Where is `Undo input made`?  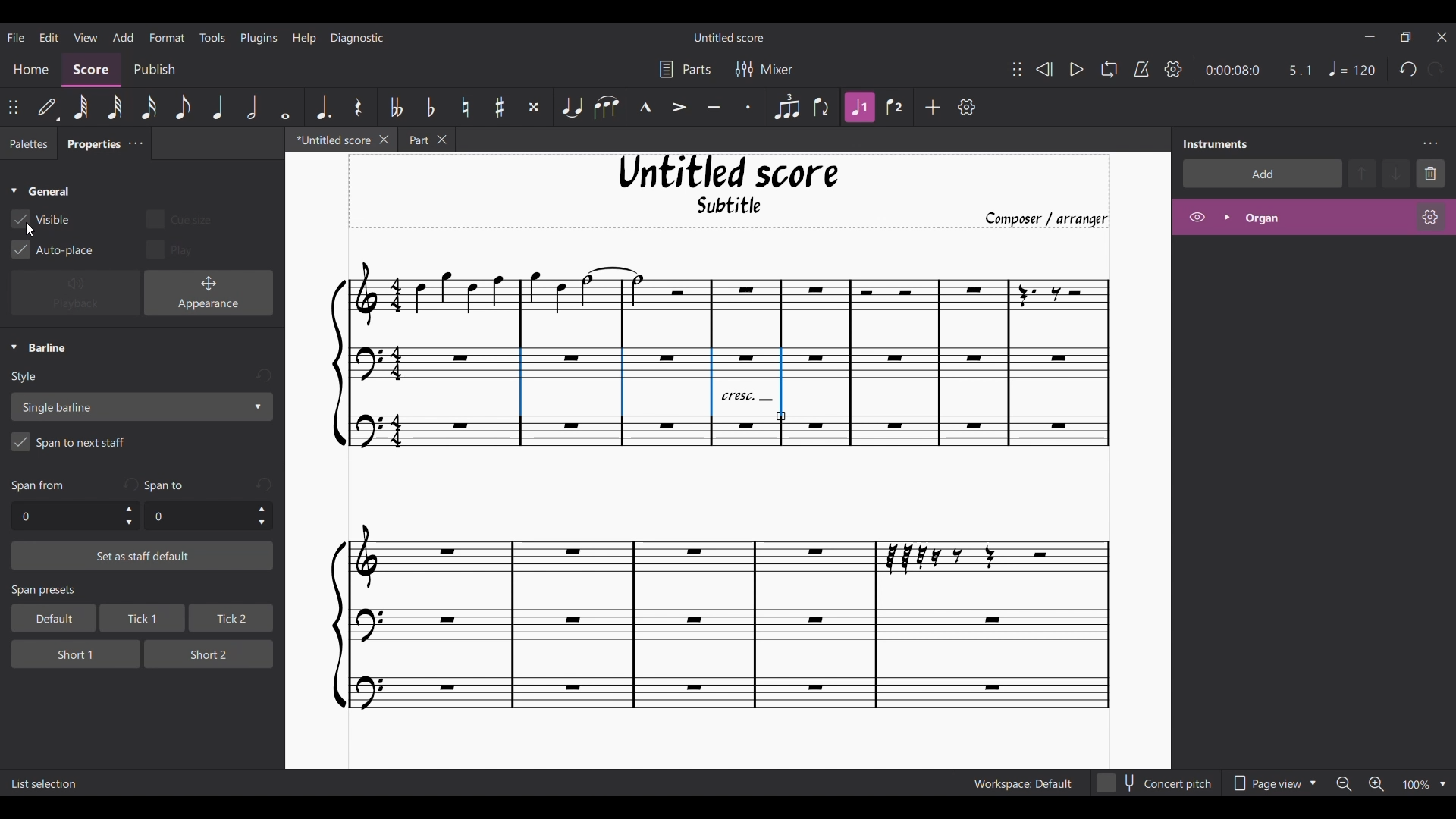
Undo input made is located at coordinates (264, 484).